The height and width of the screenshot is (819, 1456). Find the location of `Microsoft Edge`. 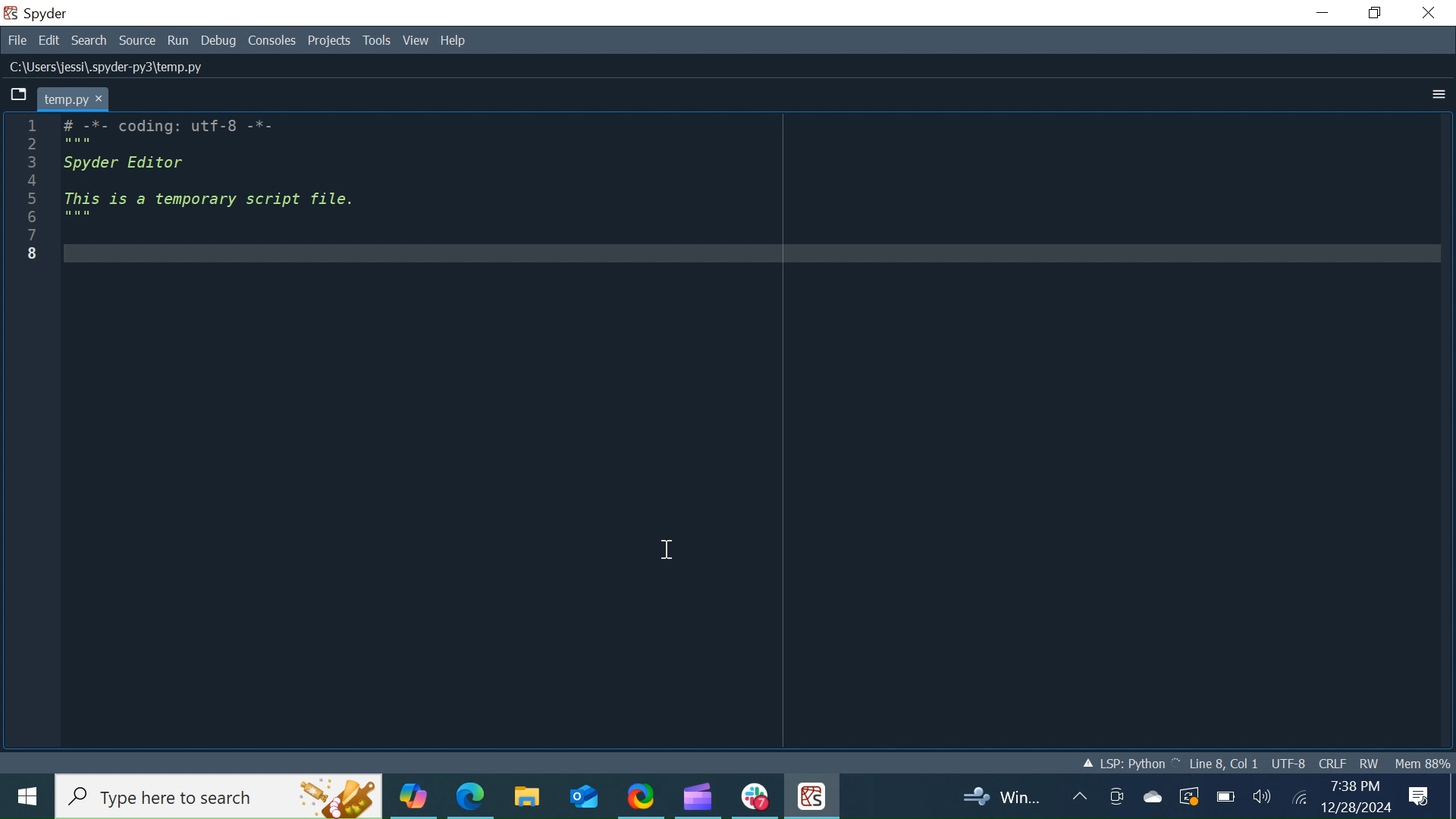

Microsoft Edge is located at coordinates (470, 795).